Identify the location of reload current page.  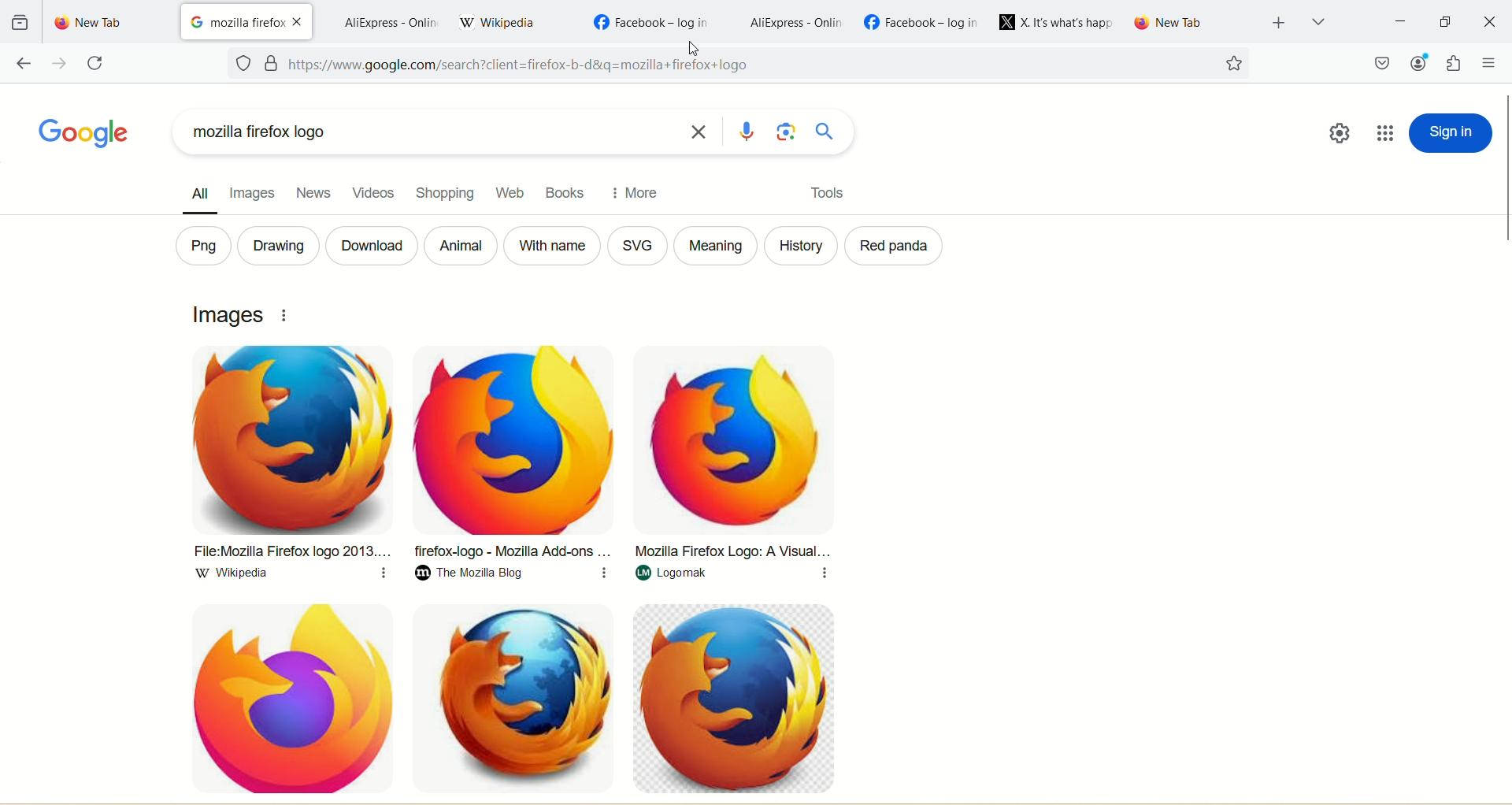
(98, 63).